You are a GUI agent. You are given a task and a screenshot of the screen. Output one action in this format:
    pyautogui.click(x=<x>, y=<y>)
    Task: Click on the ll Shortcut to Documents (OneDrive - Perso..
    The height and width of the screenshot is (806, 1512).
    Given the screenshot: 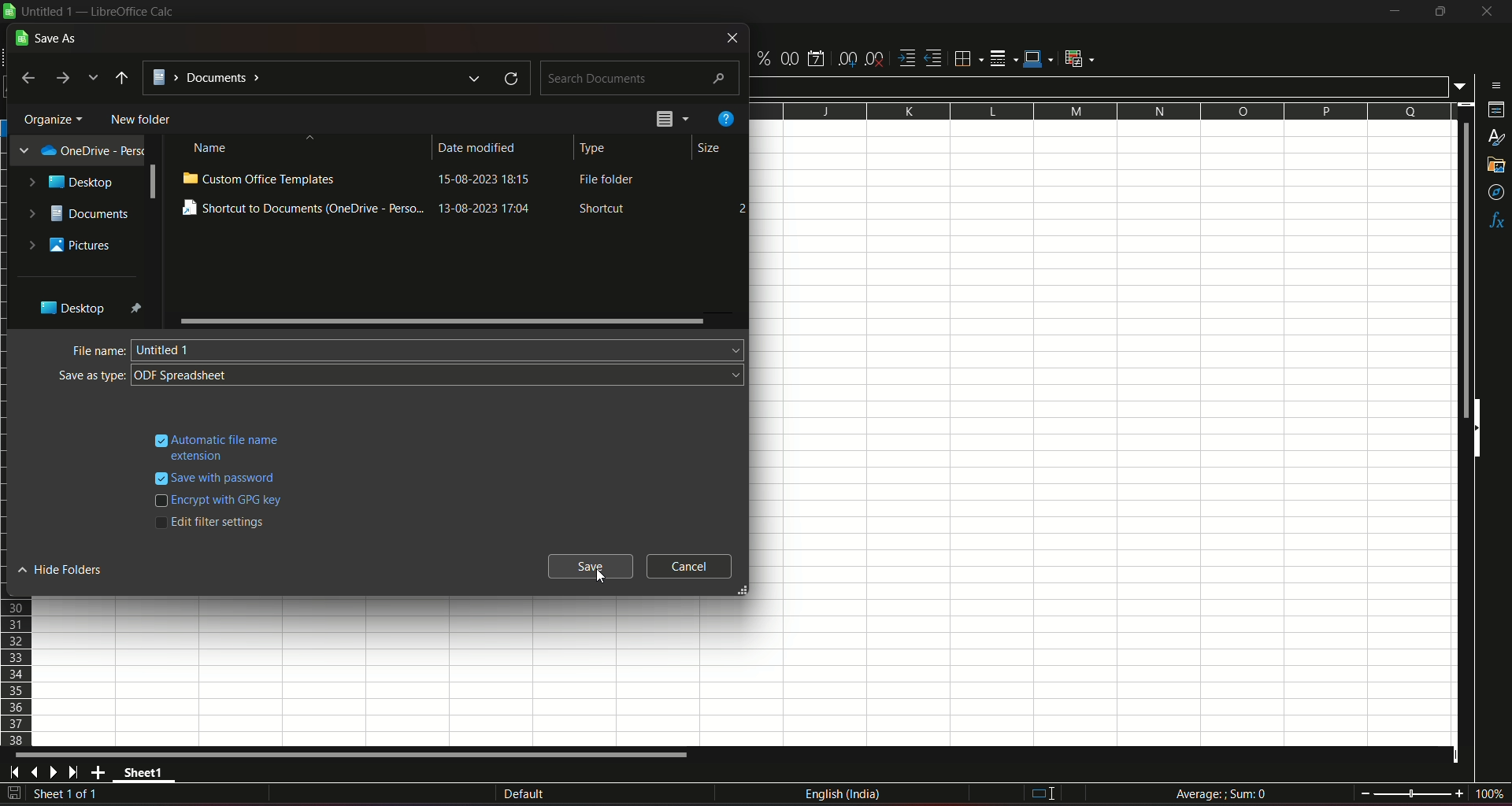 What is the action you would take?
    pyautogui.click(x=302, y=209)
    